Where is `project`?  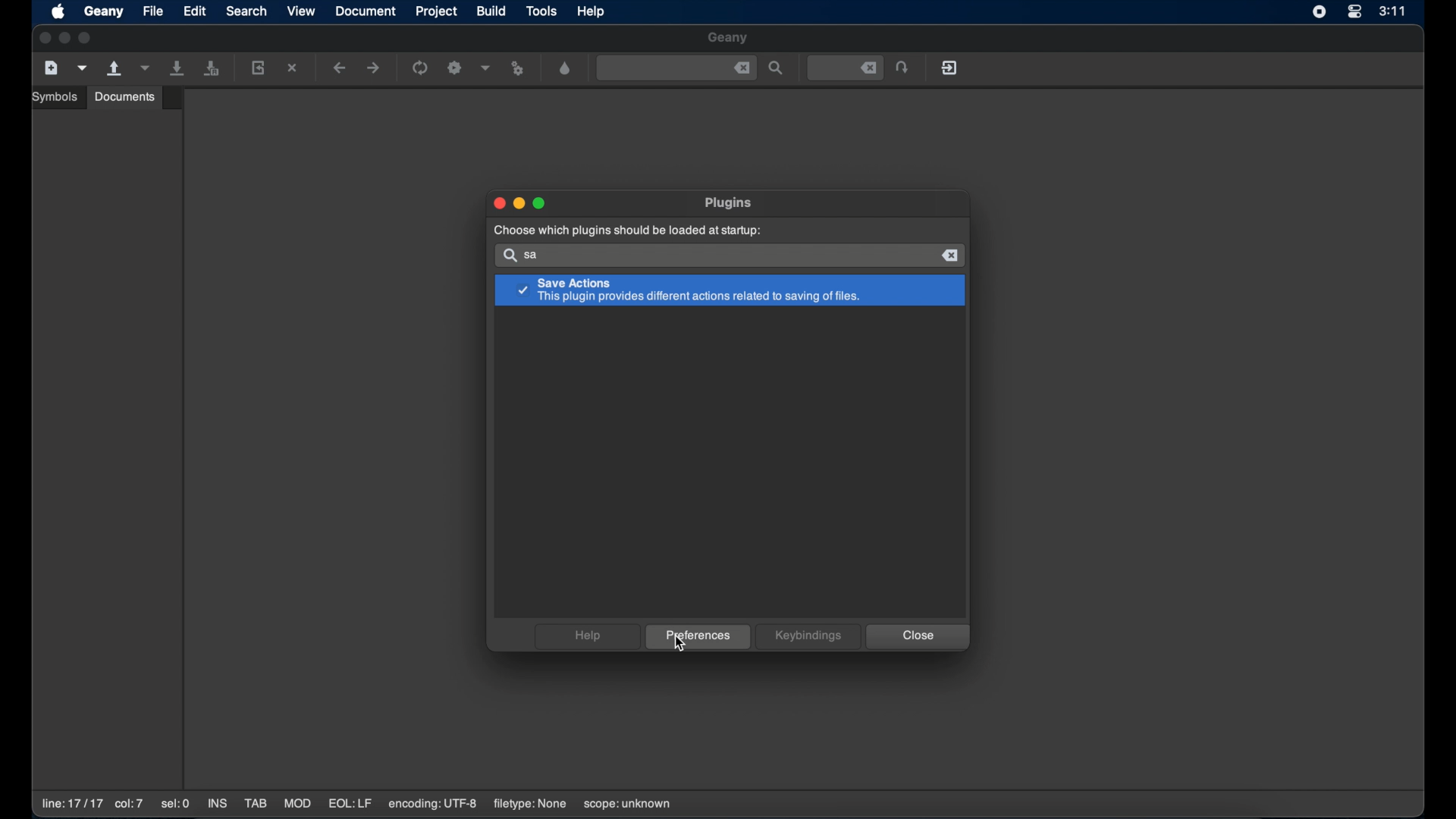
project is located at coordinates (438, 11).